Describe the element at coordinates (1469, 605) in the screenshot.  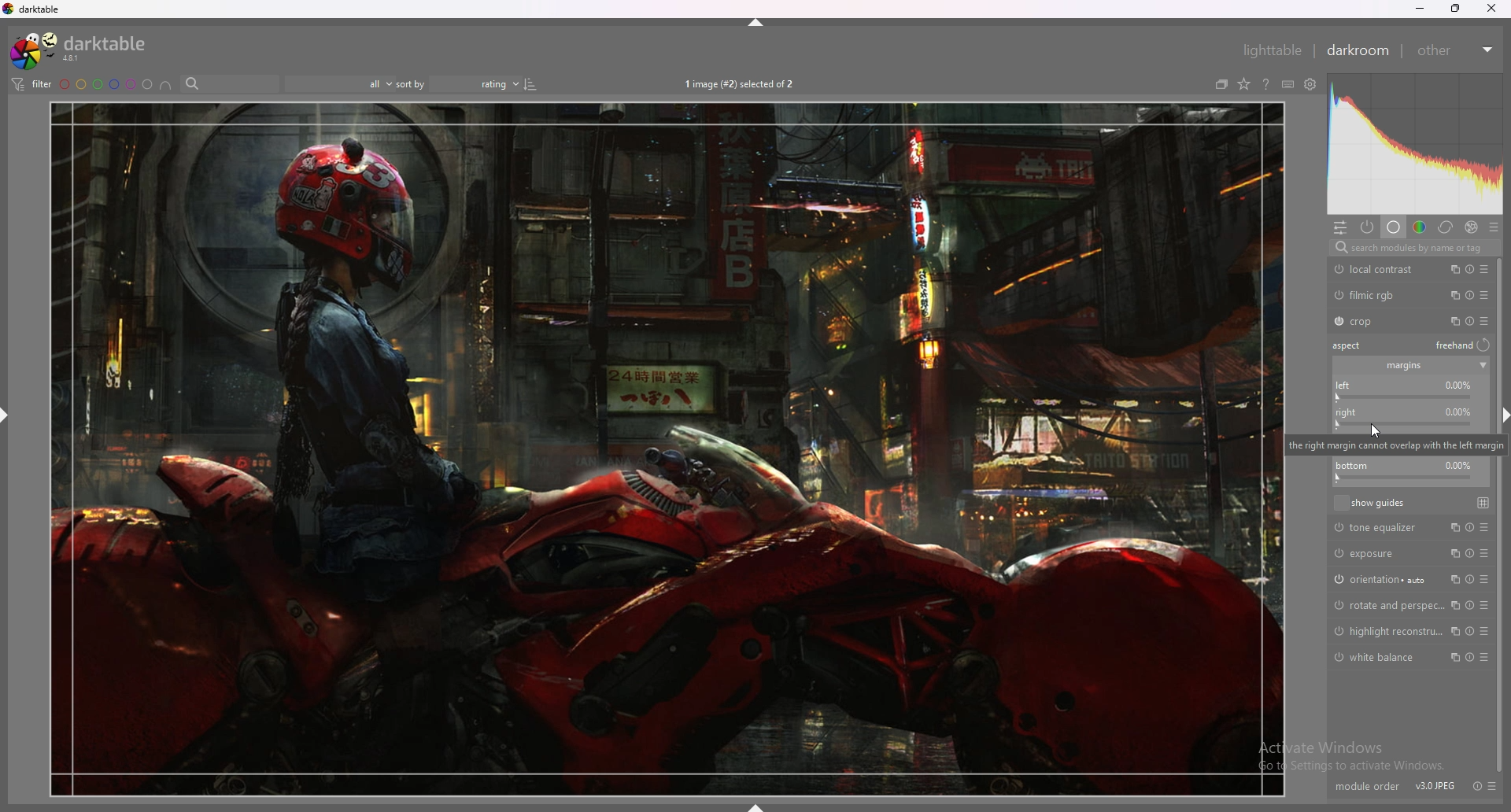
I see `reset` at that location.